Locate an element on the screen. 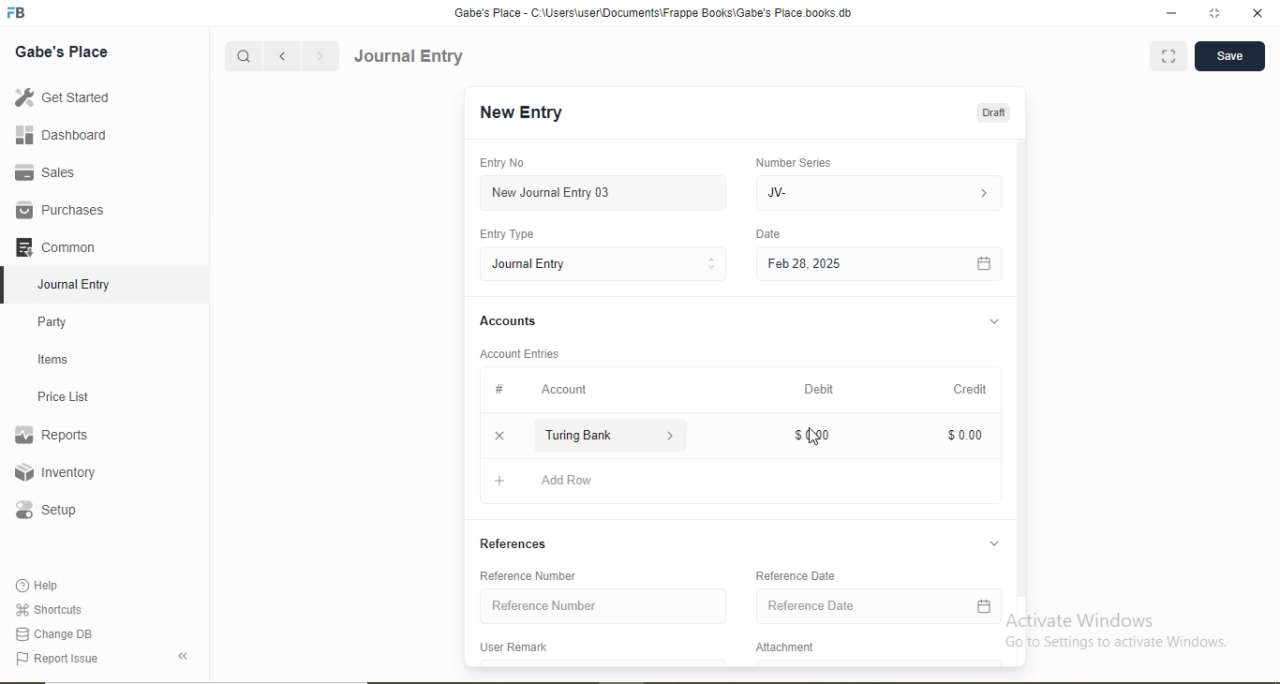 This screenshot has height=684, width=1280. Inventory is located at coordinates (56, 472).